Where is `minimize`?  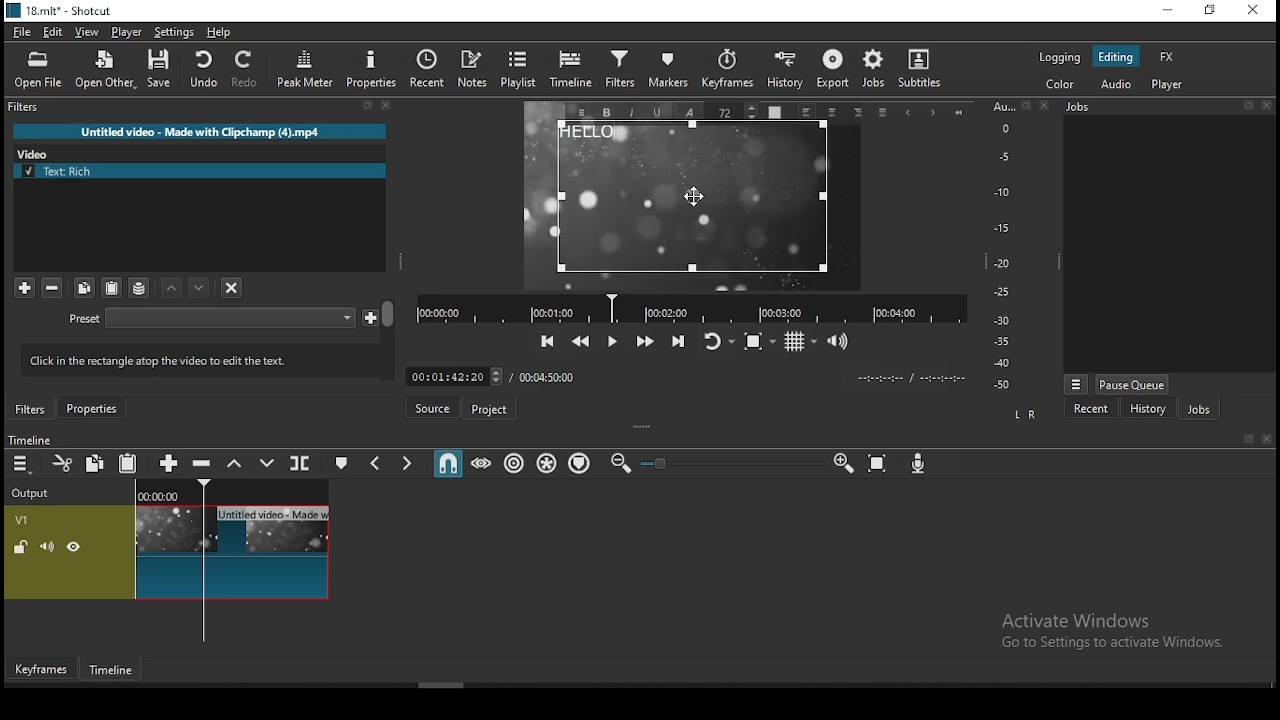
minimize is located at coordinates (1171, 9).